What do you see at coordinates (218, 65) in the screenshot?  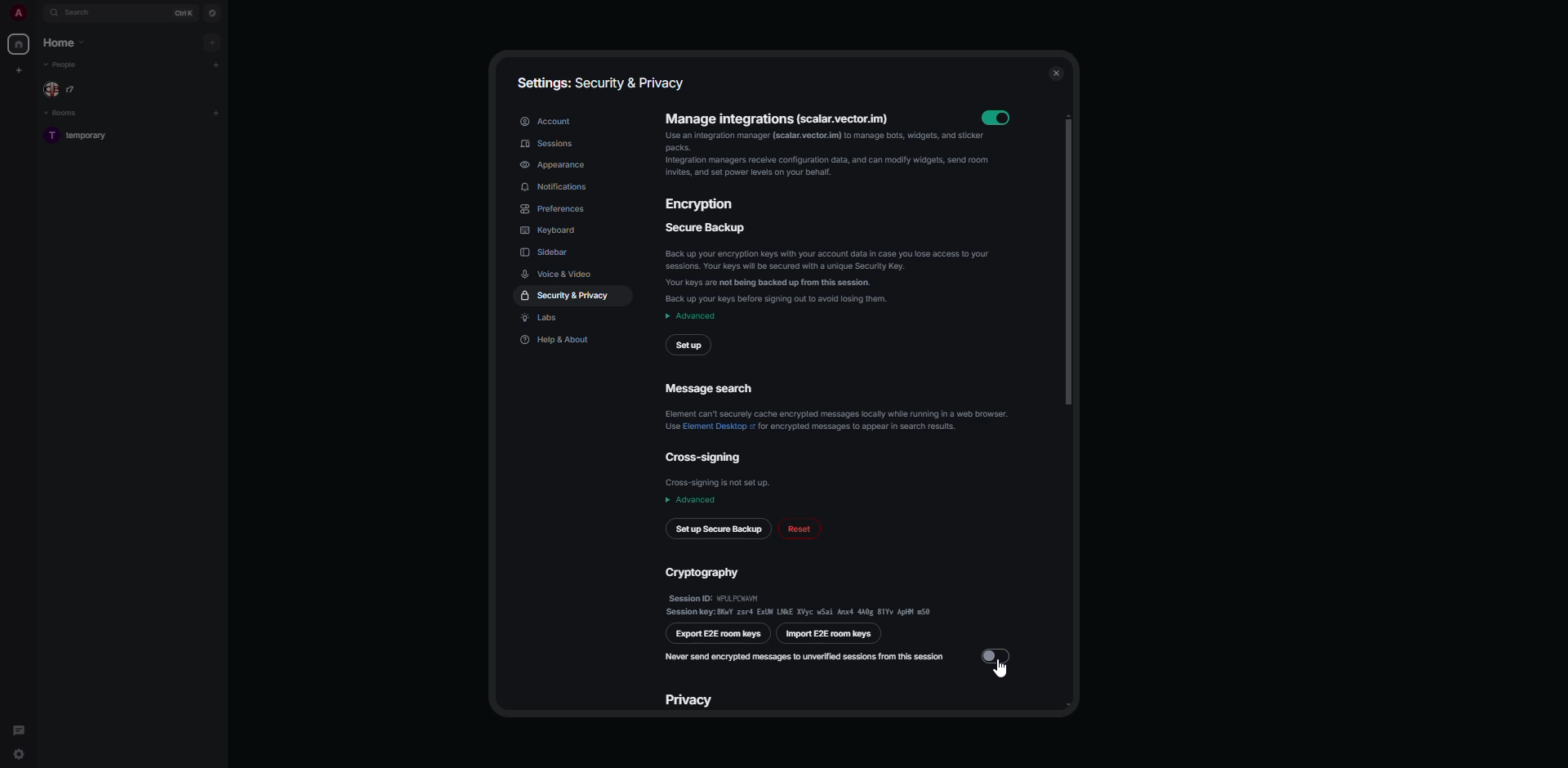 I see `add` at bounding box center [218, 65].